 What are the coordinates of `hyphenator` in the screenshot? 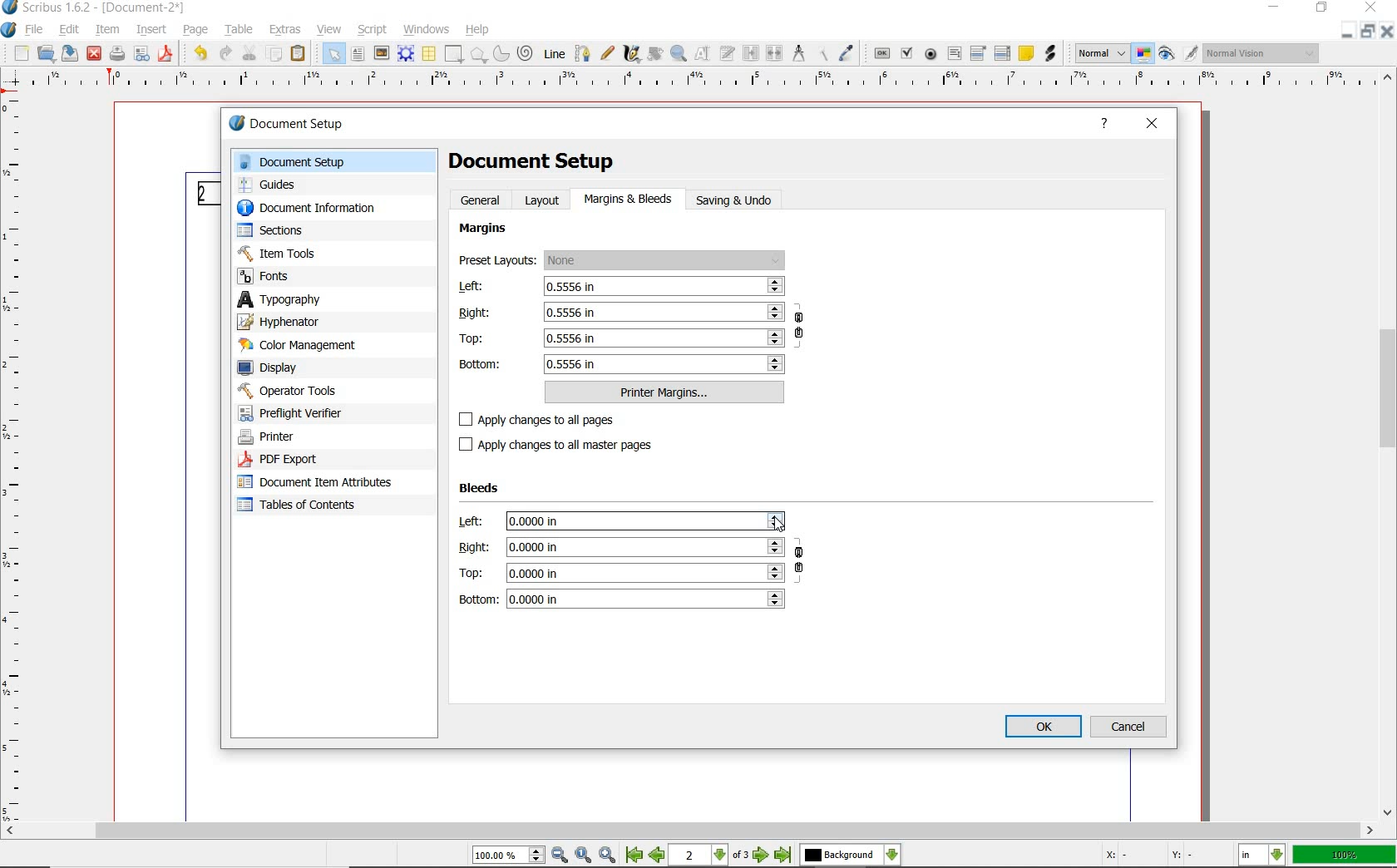 It's located at (284, 323).